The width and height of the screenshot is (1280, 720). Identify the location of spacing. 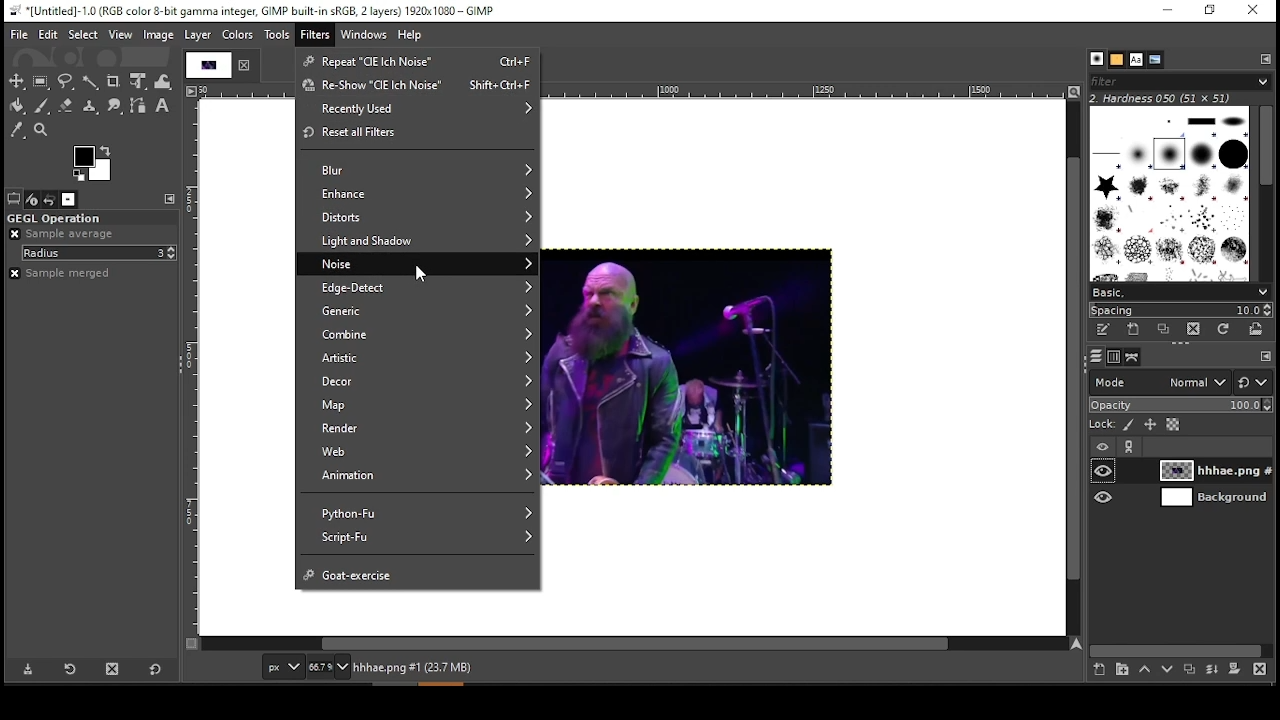
(1185, 311).